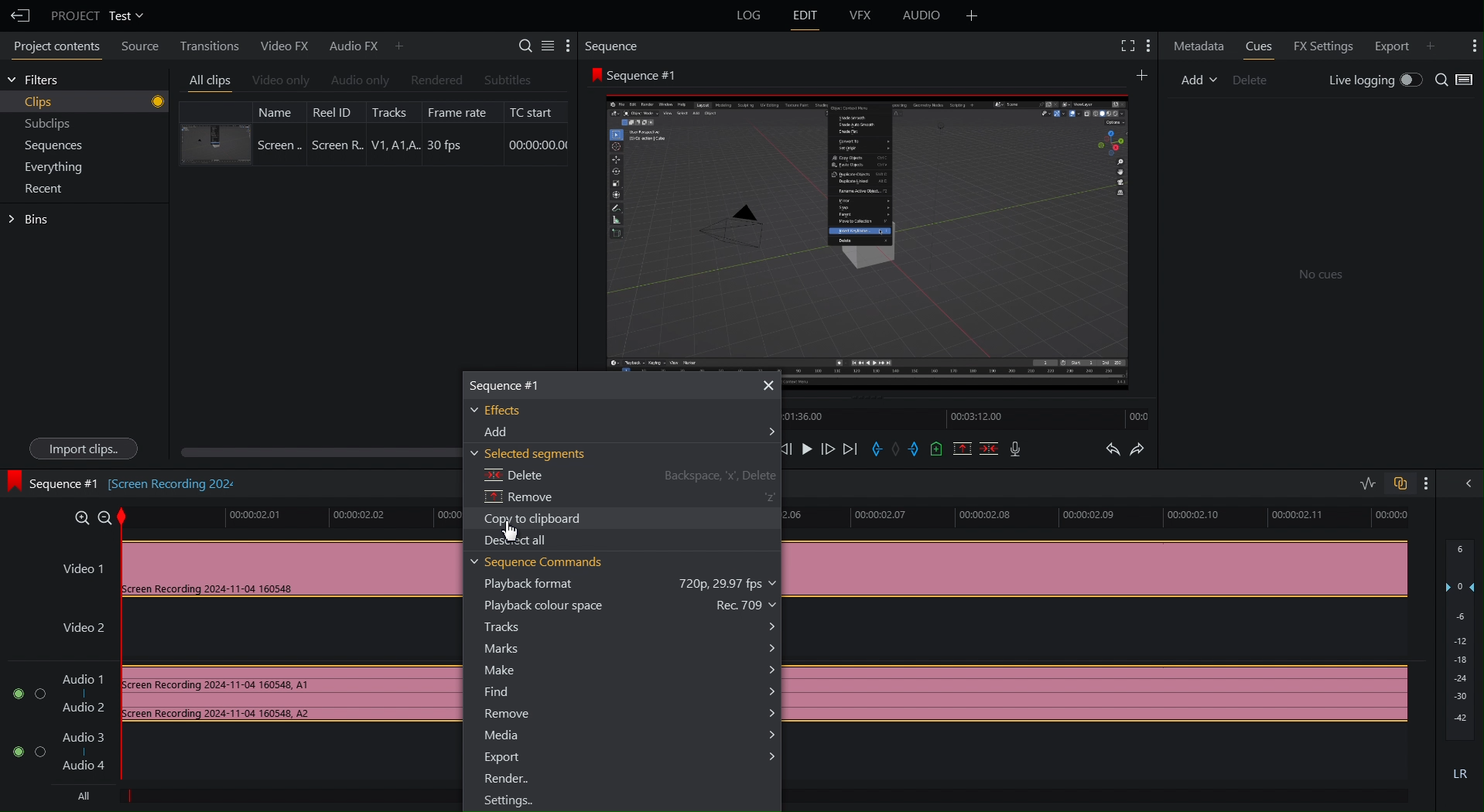  What do you see at coordinates (919, 16) in the screenshot?
I see `Audio` at bounding box center [919, 16].